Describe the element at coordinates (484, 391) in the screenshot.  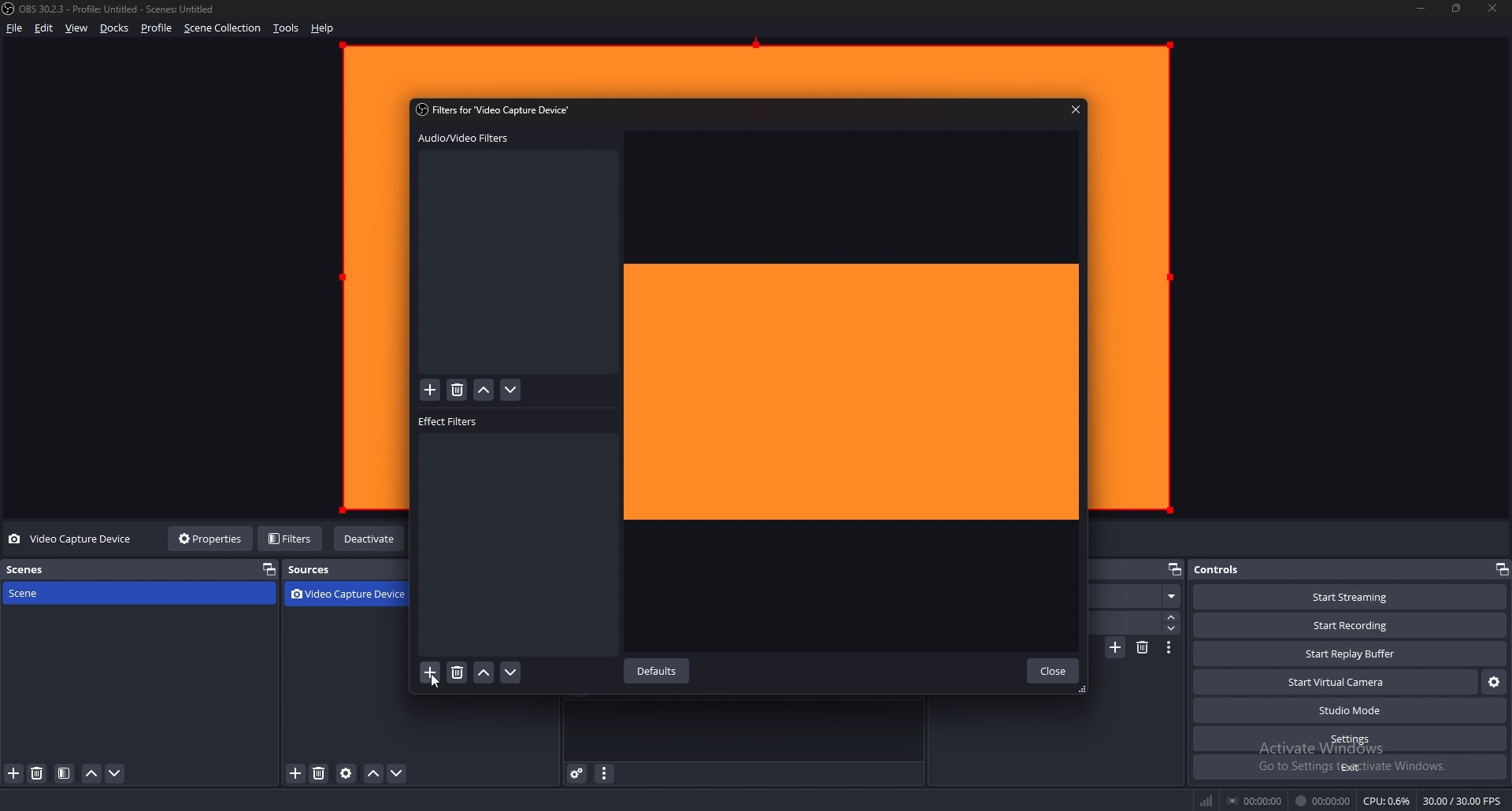
I see `move filter up` at that location.